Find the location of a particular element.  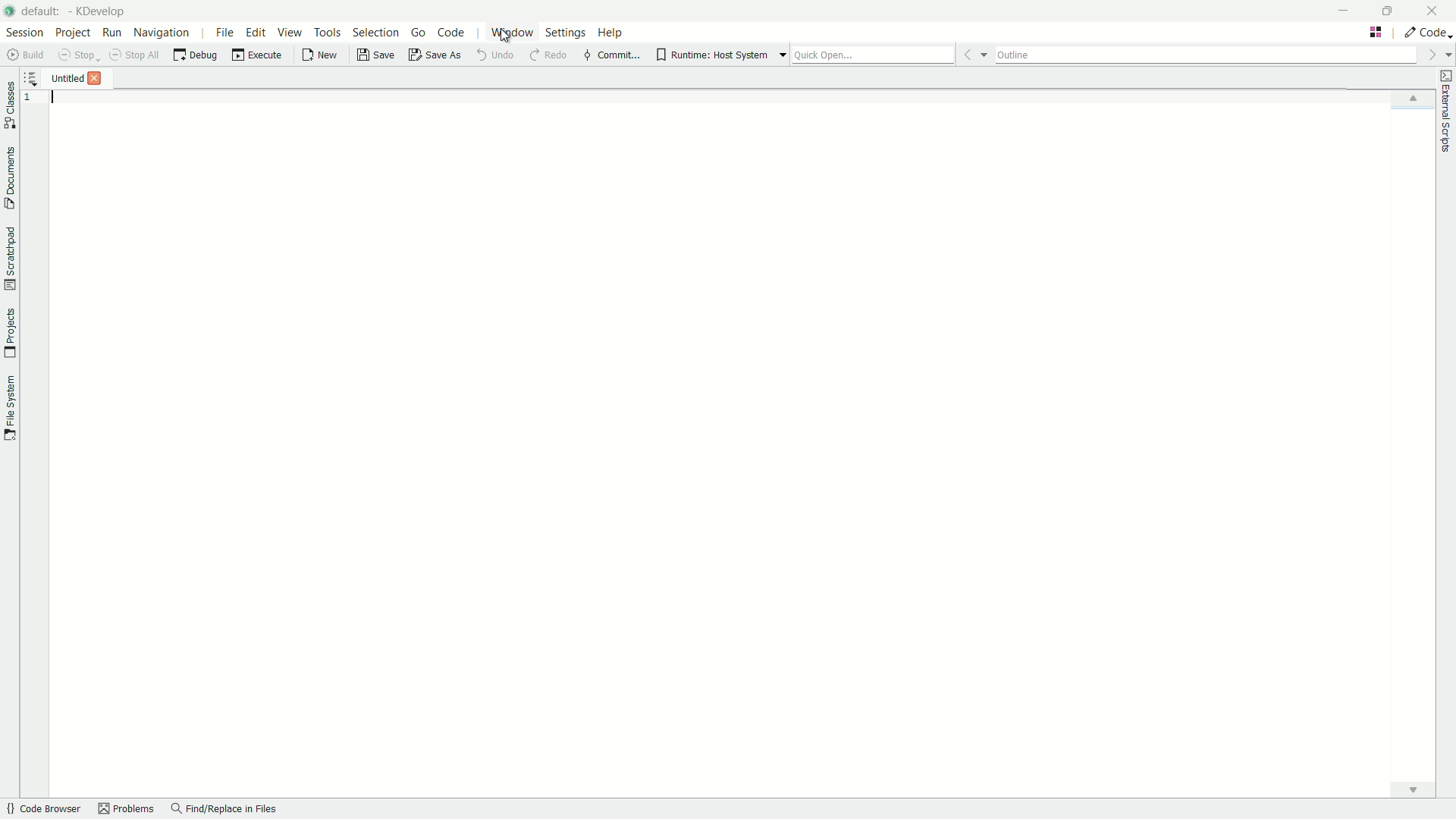

redo is located at coordinates (548, 55).